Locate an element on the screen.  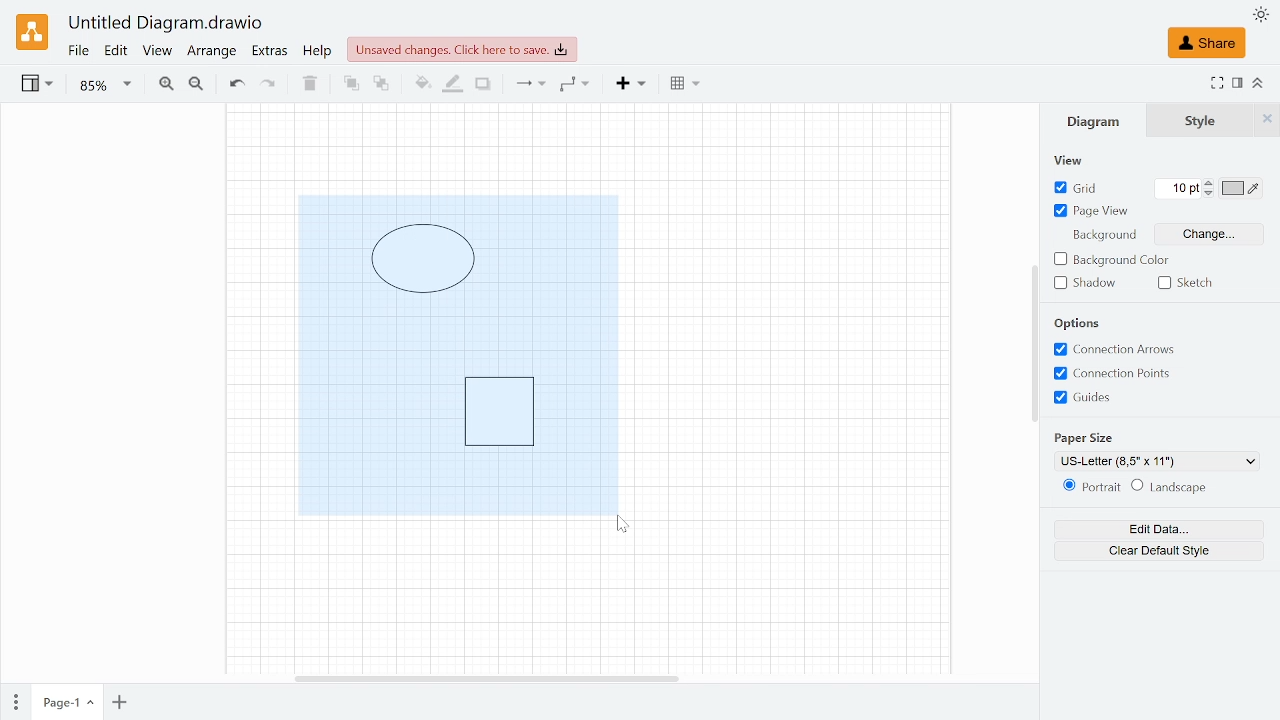
Delete is located at coordinates (307, 84).